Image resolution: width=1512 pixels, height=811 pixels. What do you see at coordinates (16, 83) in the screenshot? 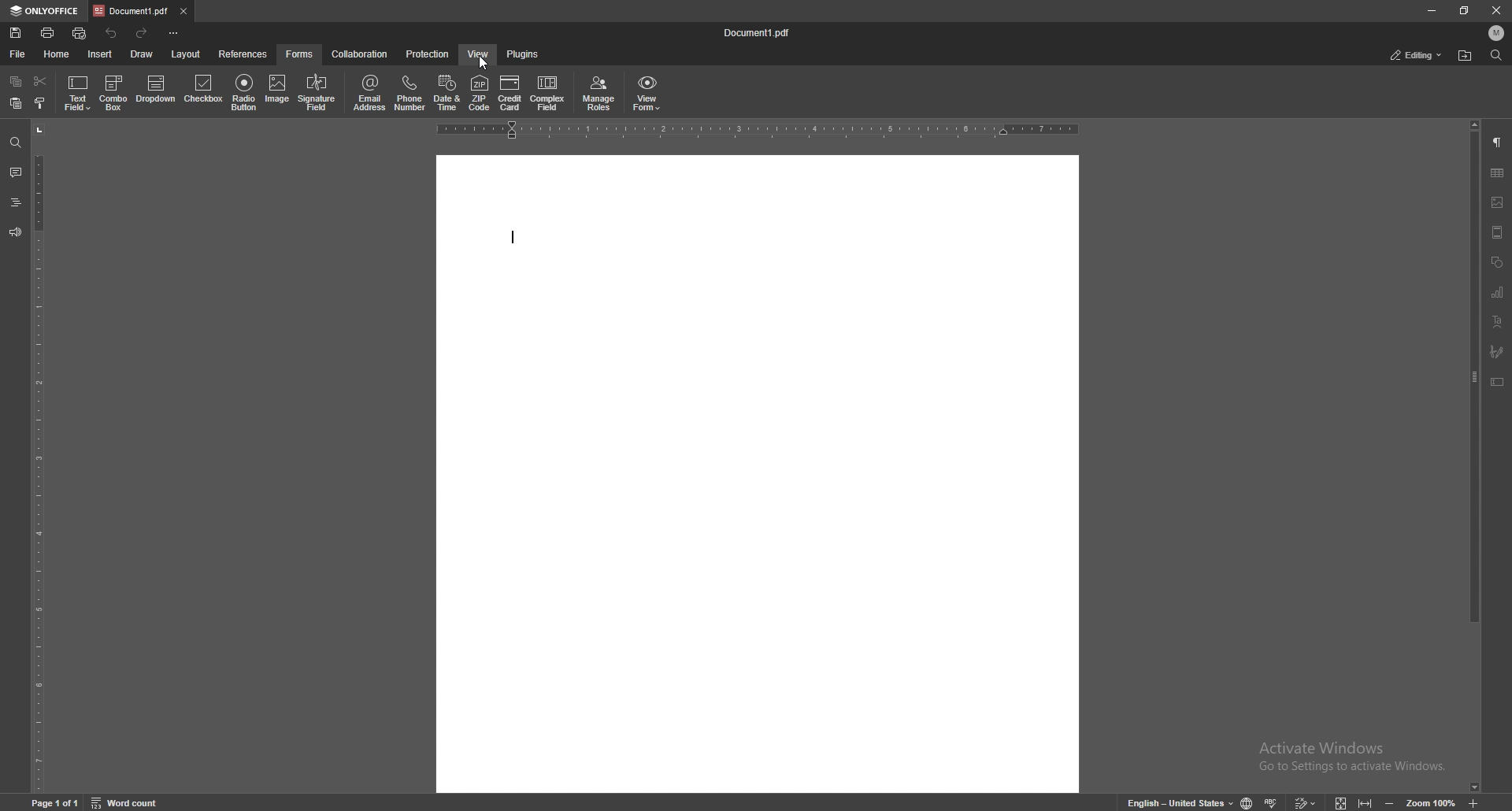
I see `copy` at bounding box center [16, 83].